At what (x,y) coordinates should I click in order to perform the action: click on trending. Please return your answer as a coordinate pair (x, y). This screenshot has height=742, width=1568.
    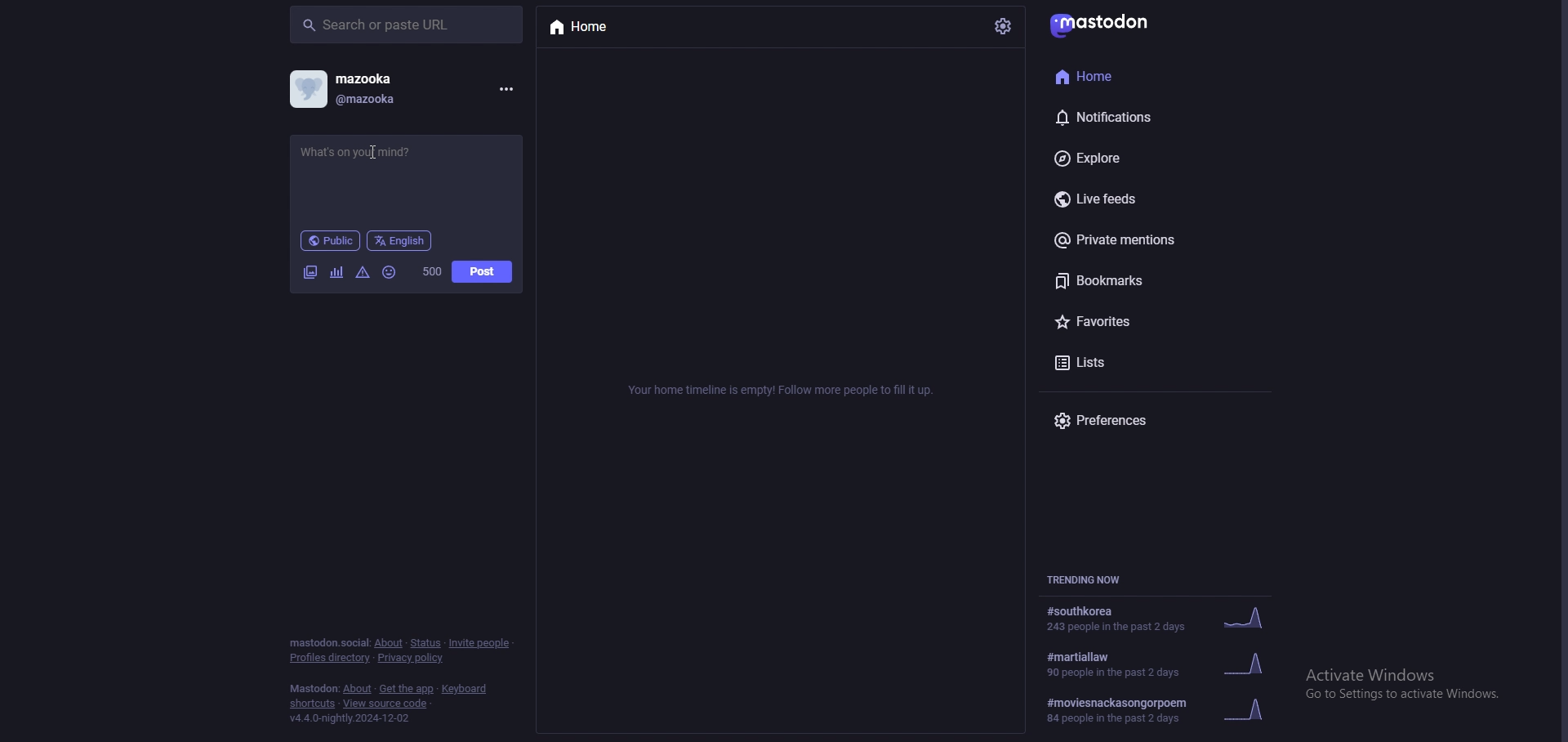
    Looking at the image, I should click on (1171, 664).